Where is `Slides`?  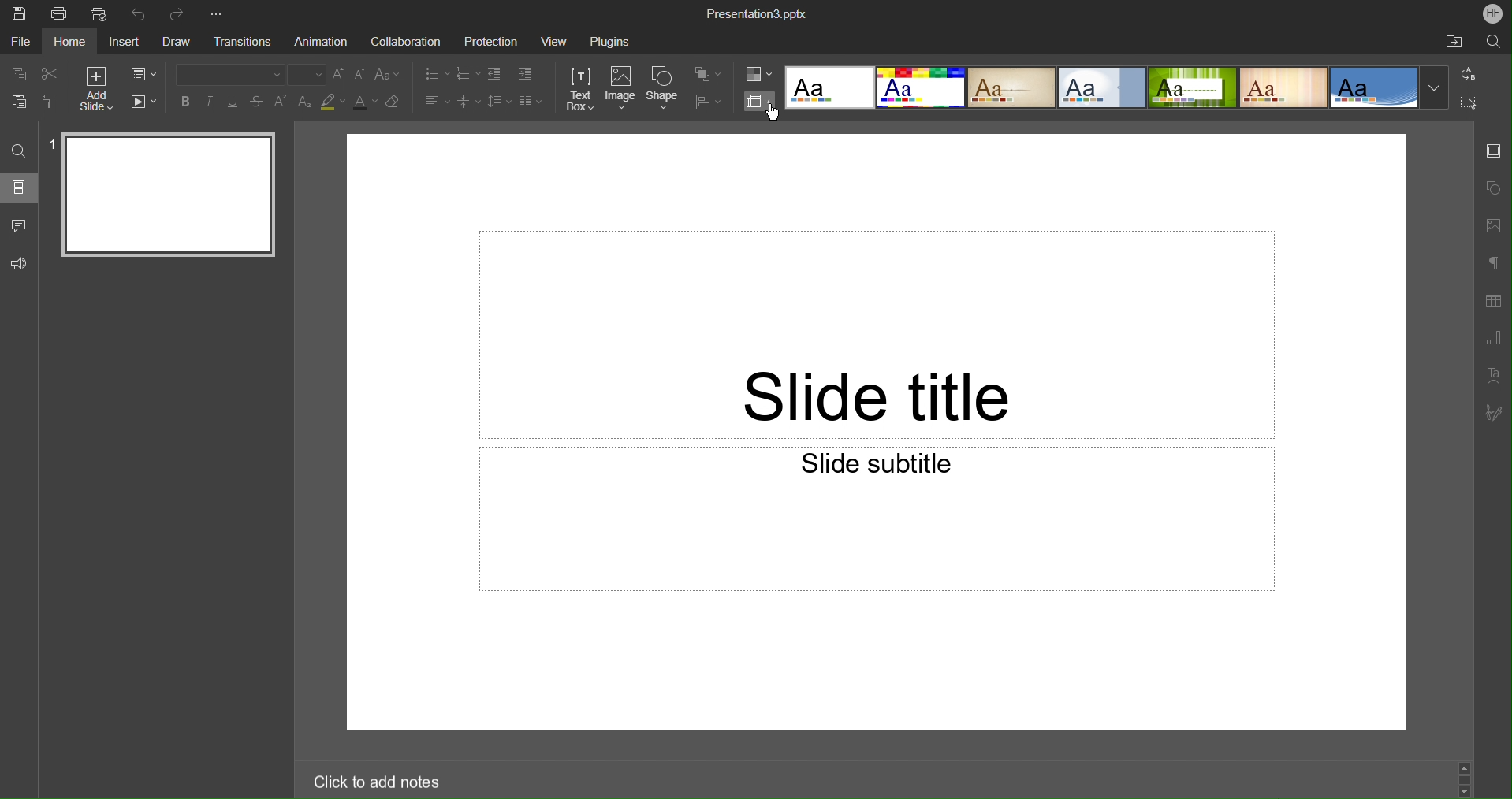 Slides is located at coordinates (19, 188).